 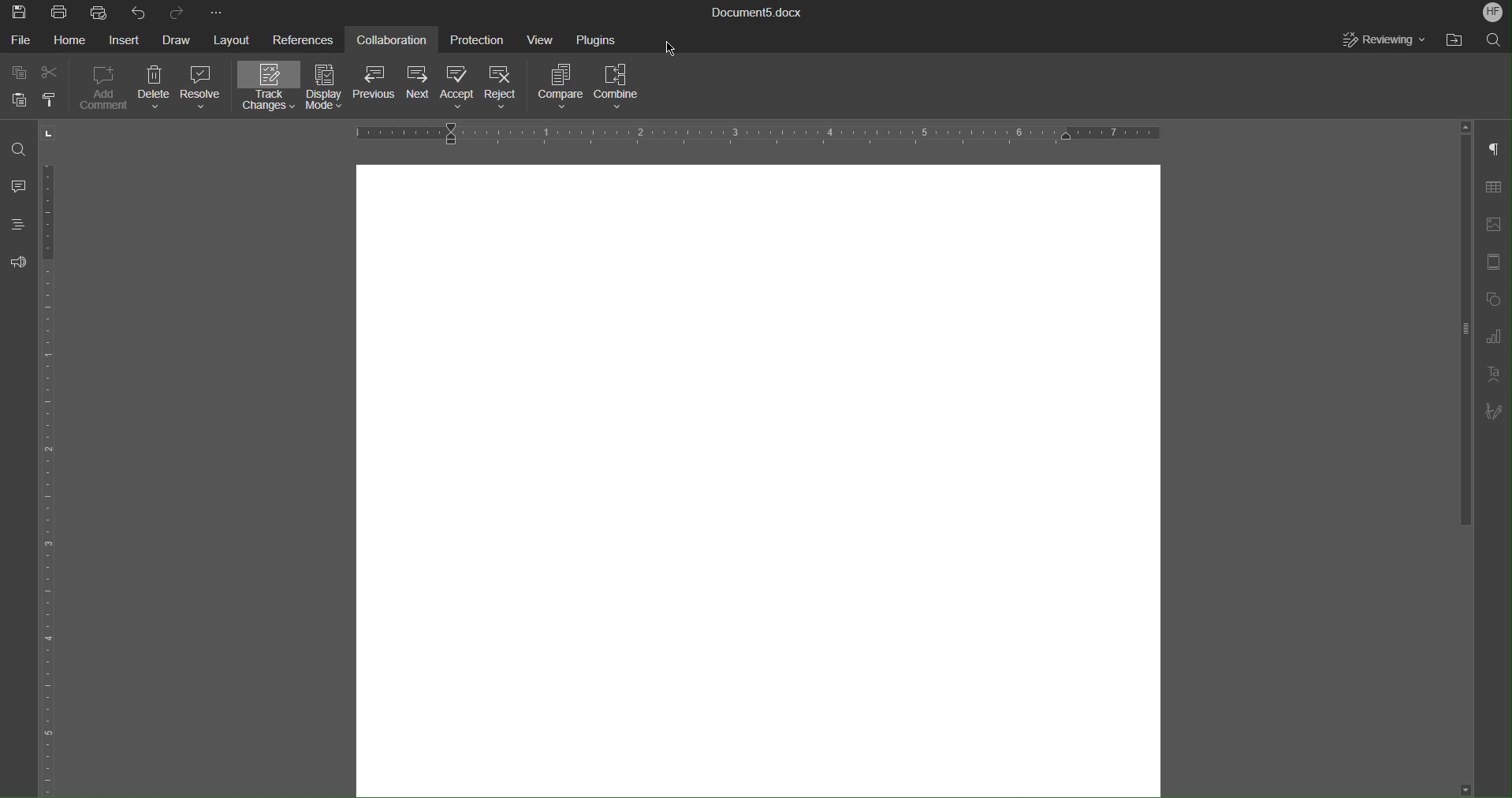 I want to click on Display Mode, so click(x=328, y=88).